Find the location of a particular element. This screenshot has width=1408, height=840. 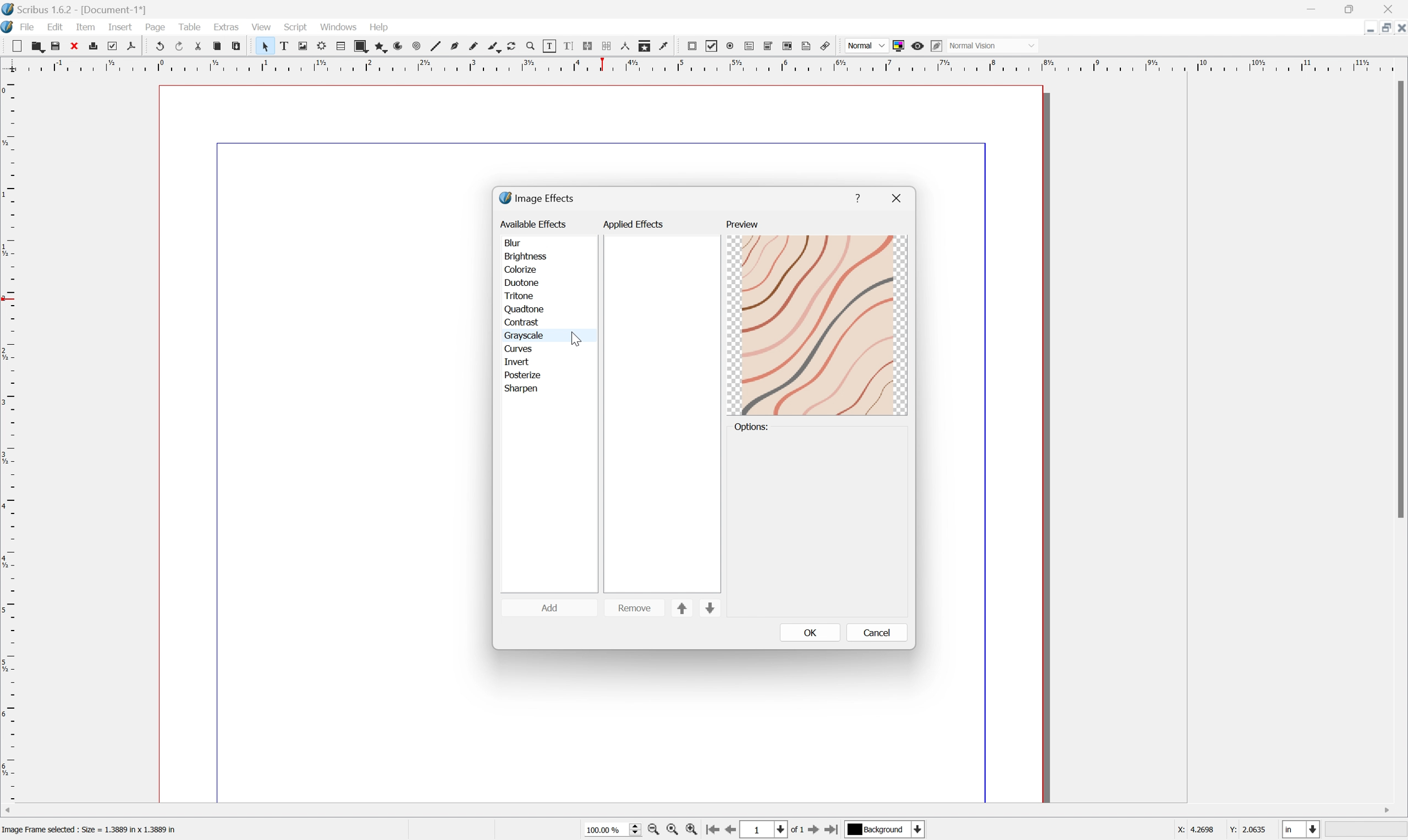

Image frame selected : Size = 1.3889 in × 1.3889 in is located at coordinates (92, 831).